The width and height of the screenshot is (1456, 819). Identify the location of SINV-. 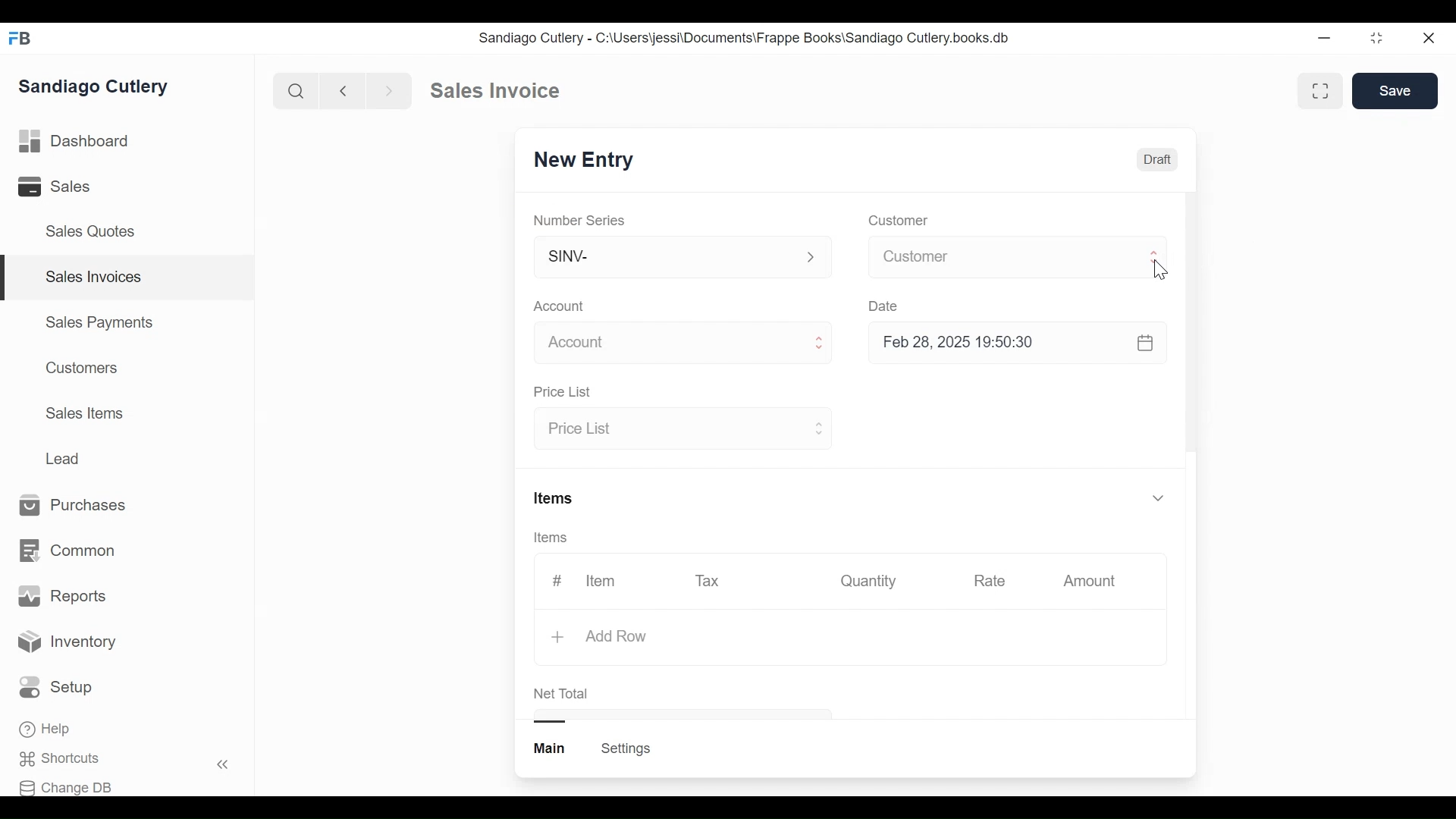
(681, 260).